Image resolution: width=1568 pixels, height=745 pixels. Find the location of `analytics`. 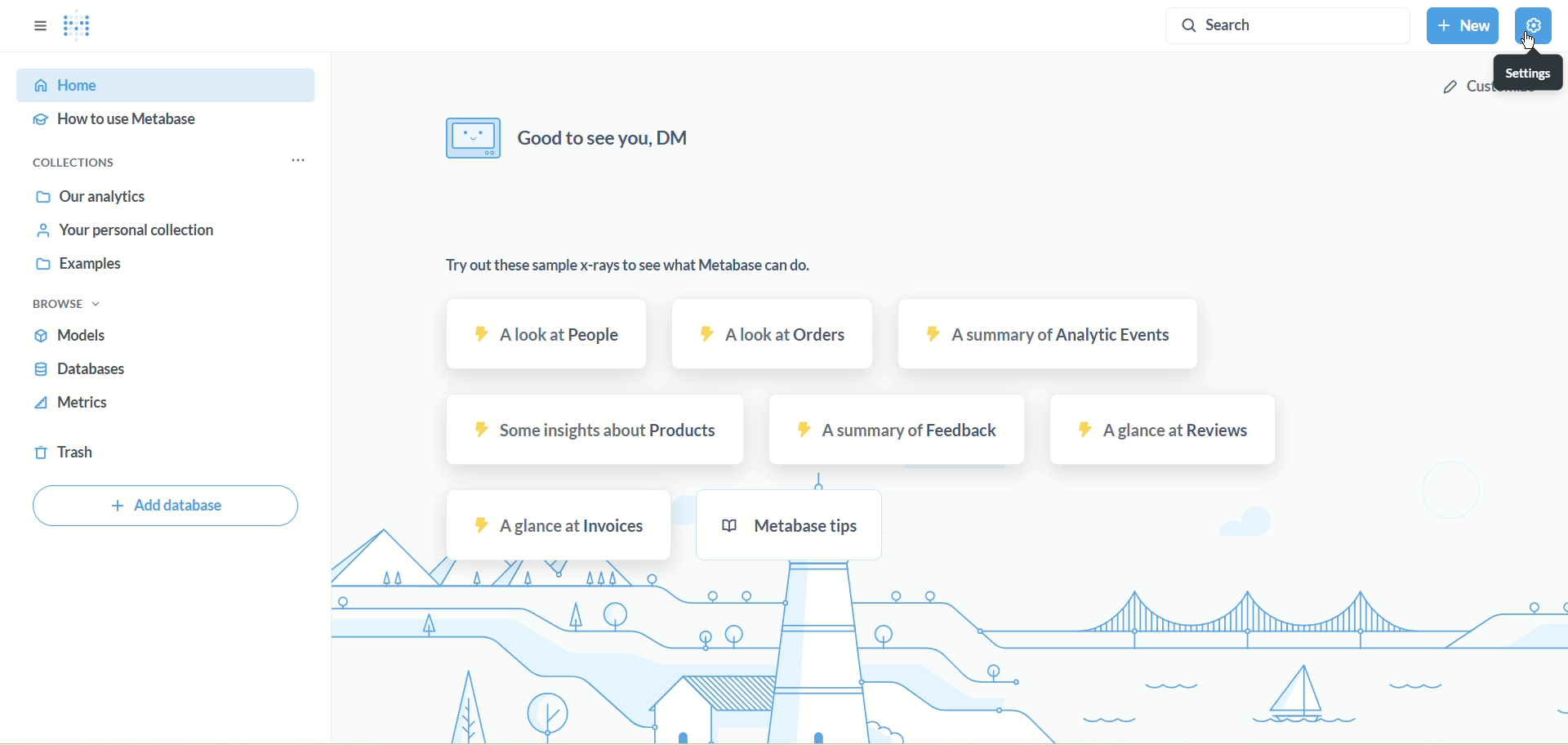

analytics is located at coordinates (96, 199).